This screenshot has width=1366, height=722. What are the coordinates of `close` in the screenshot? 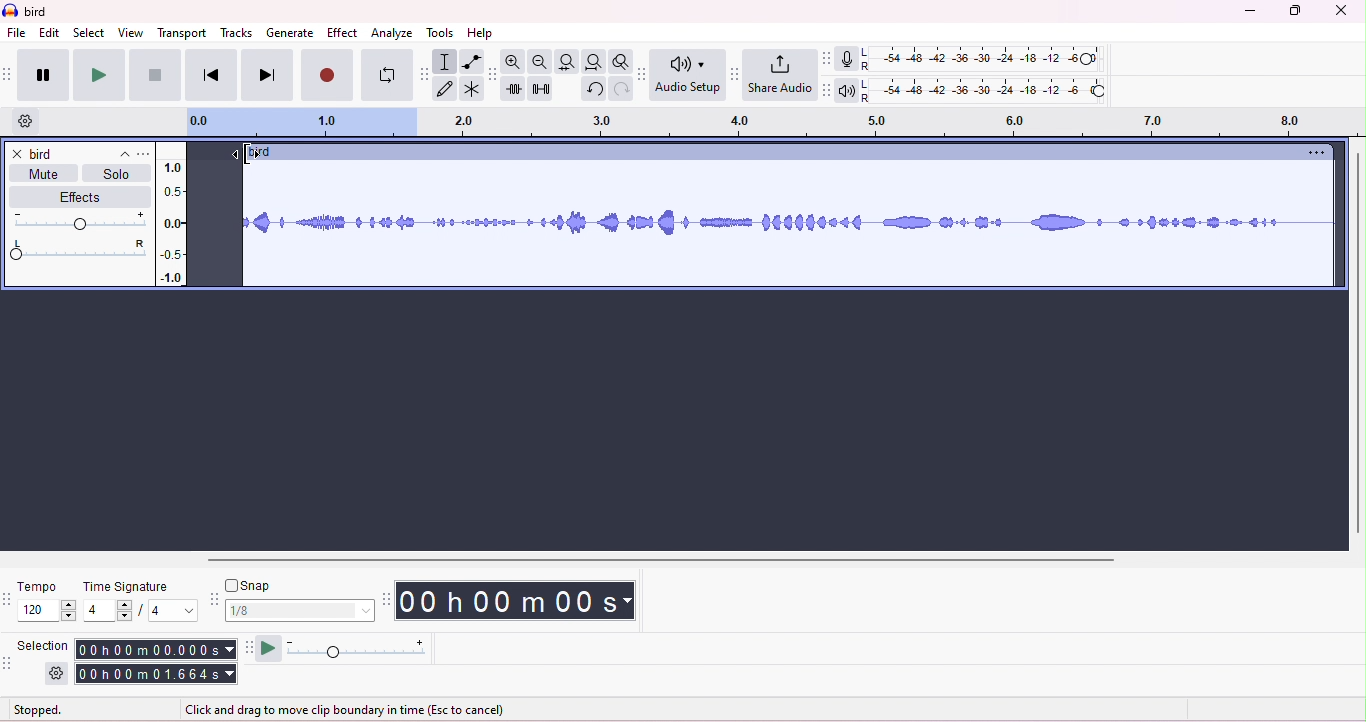 It's located at (15, 153).